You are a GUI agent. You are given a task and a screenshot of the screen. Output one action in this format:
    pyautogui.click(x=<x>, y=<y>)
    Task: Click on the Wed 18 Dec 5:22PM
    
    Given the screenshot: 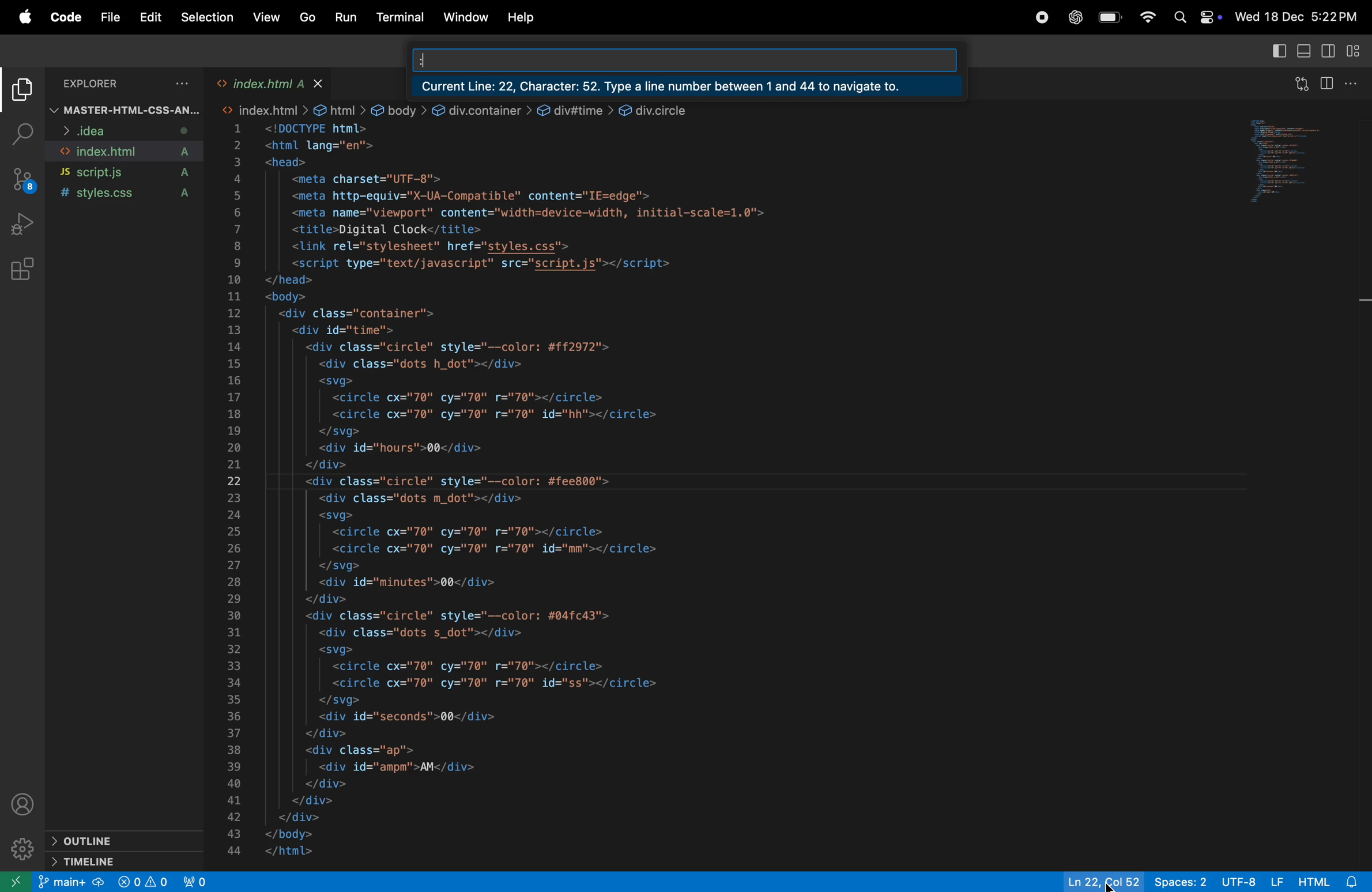 What is the action you would take?
    pyautogui.click(x=1299, y=18)
    